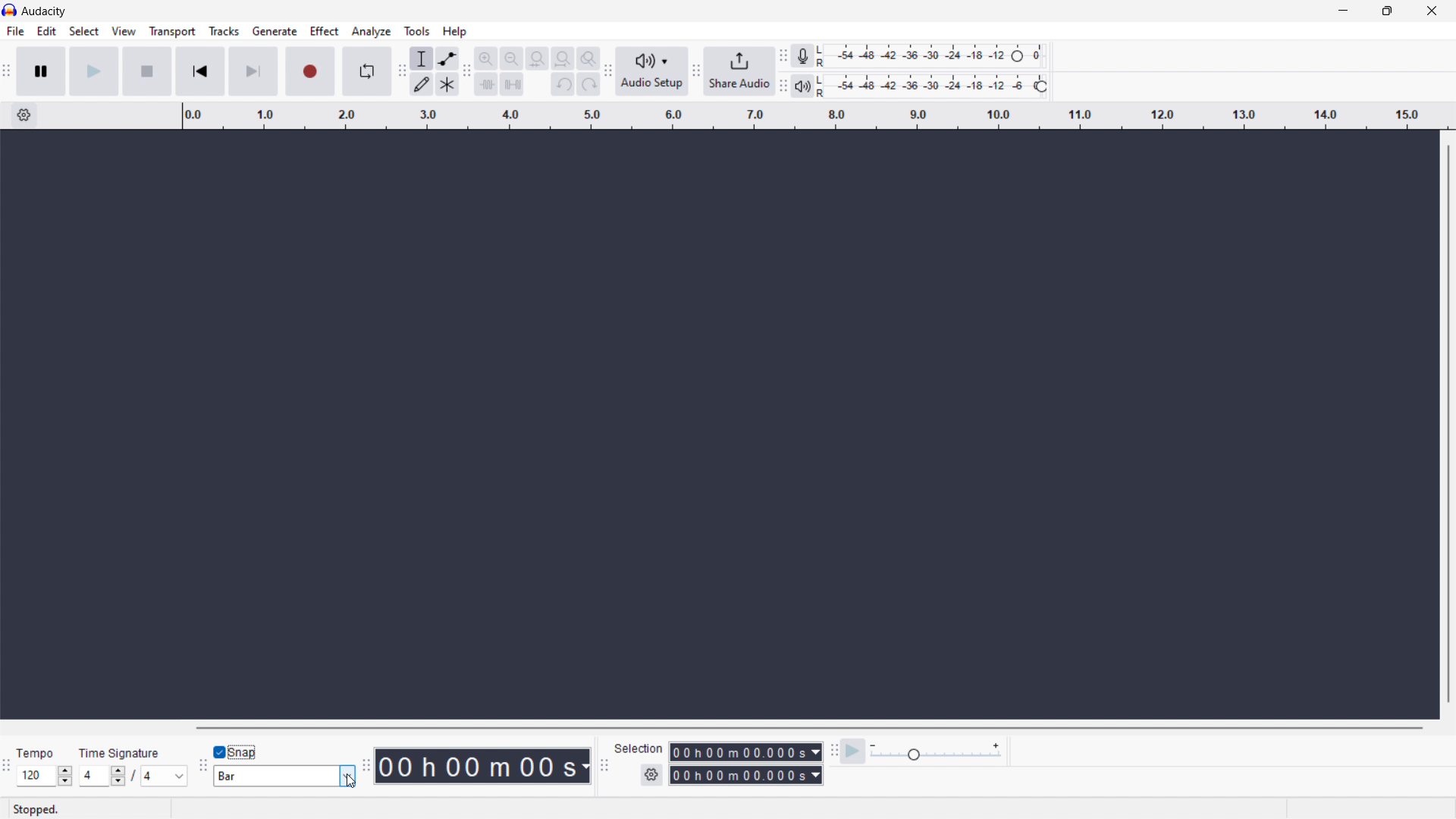 This screenshot has height=819, width=1456. Describe the element at coordinates (605, 766) in the screenshot. I see `selection toolbar` at that location.